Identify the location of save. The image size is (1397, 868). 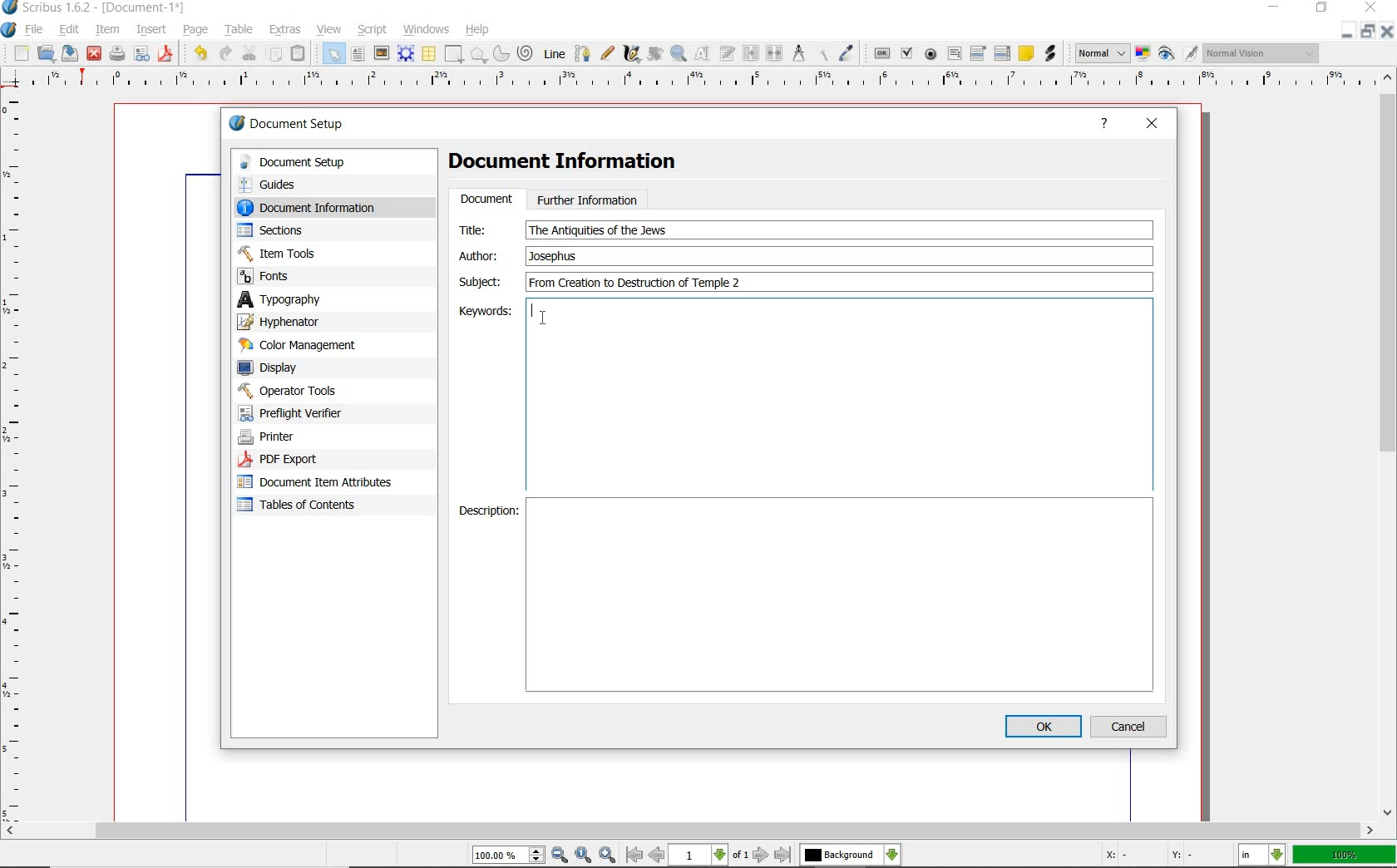
(72, 53).